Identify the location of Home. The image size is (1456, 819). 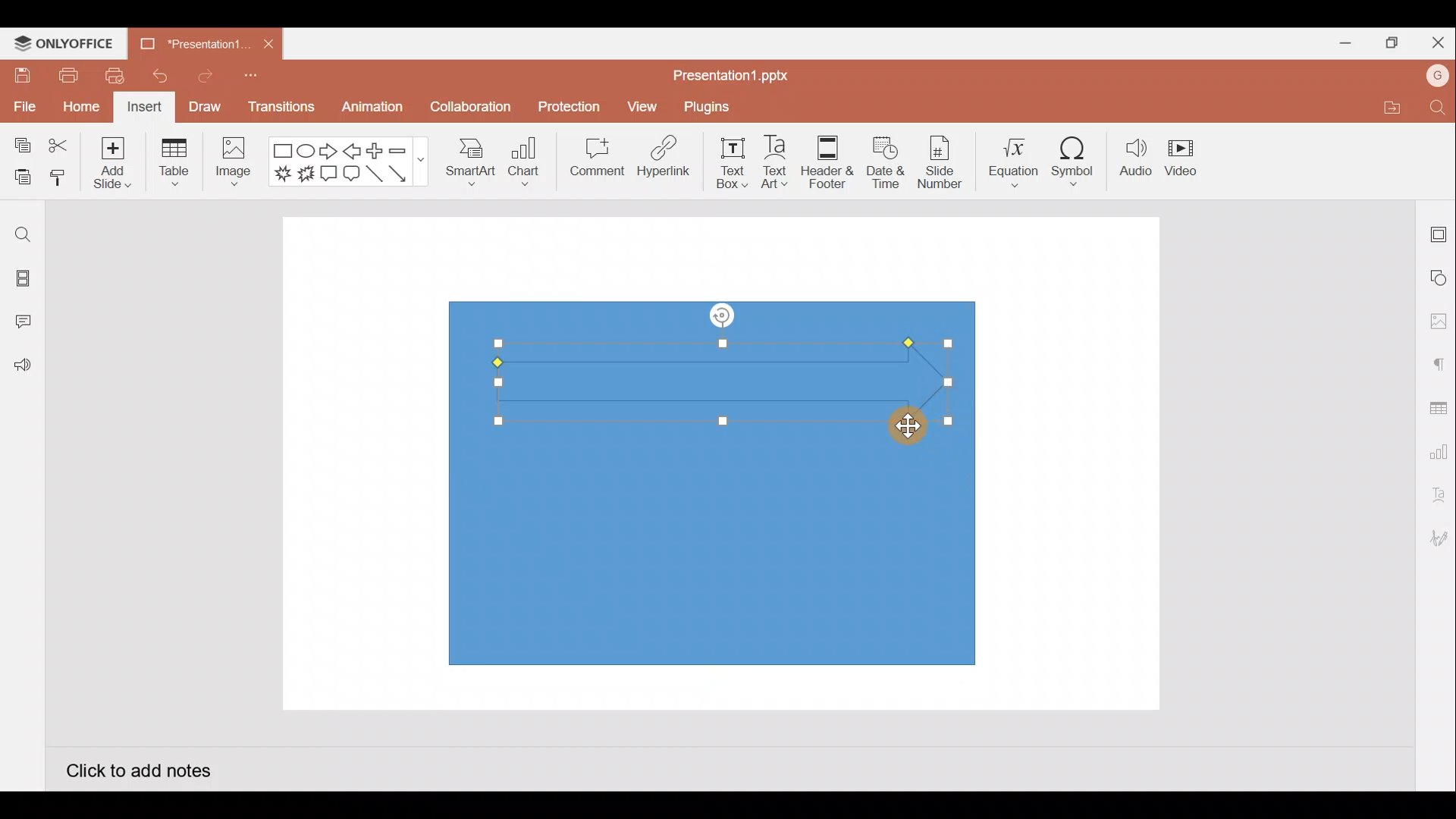
(81, 108).